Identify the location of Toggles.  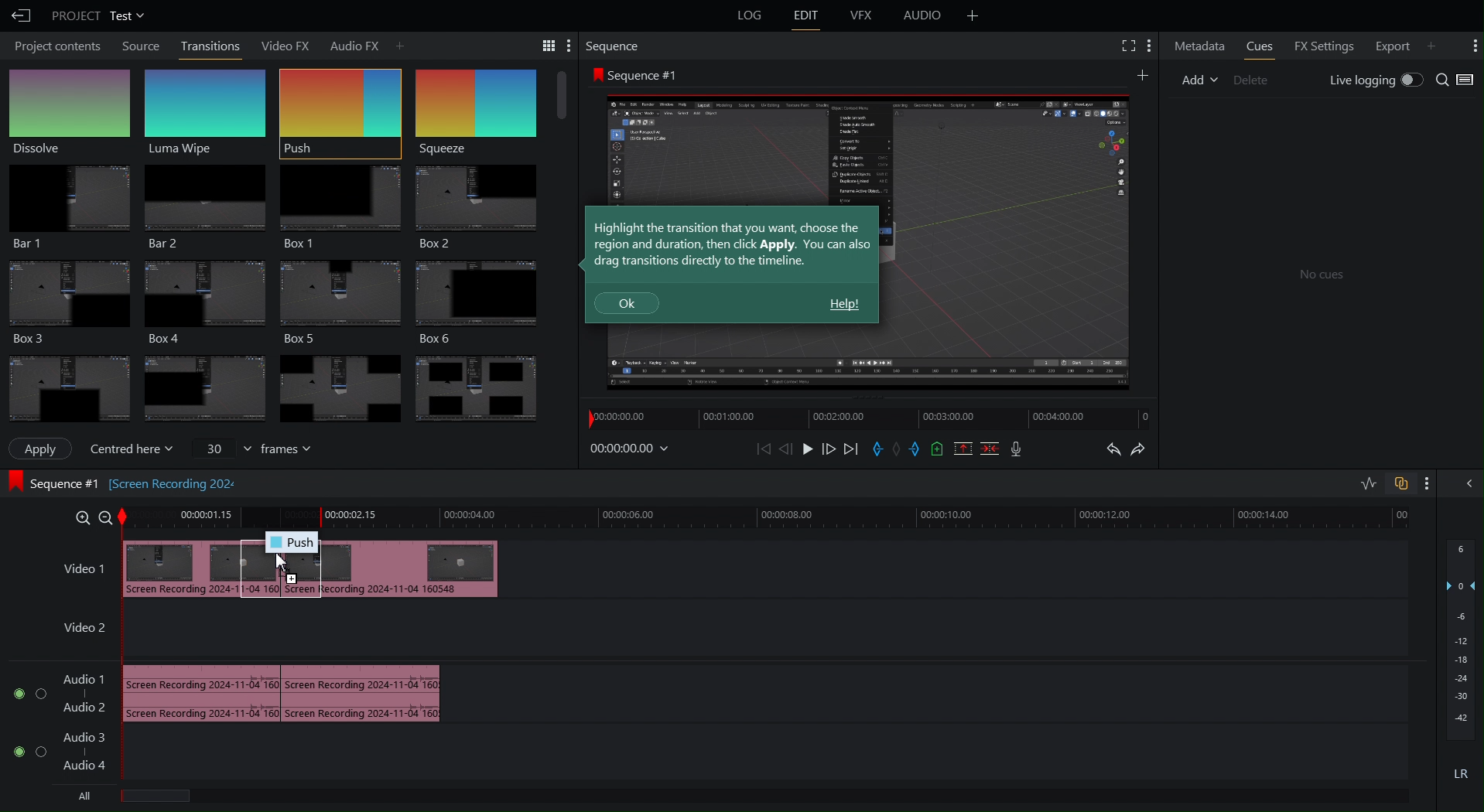
(1395, 483).